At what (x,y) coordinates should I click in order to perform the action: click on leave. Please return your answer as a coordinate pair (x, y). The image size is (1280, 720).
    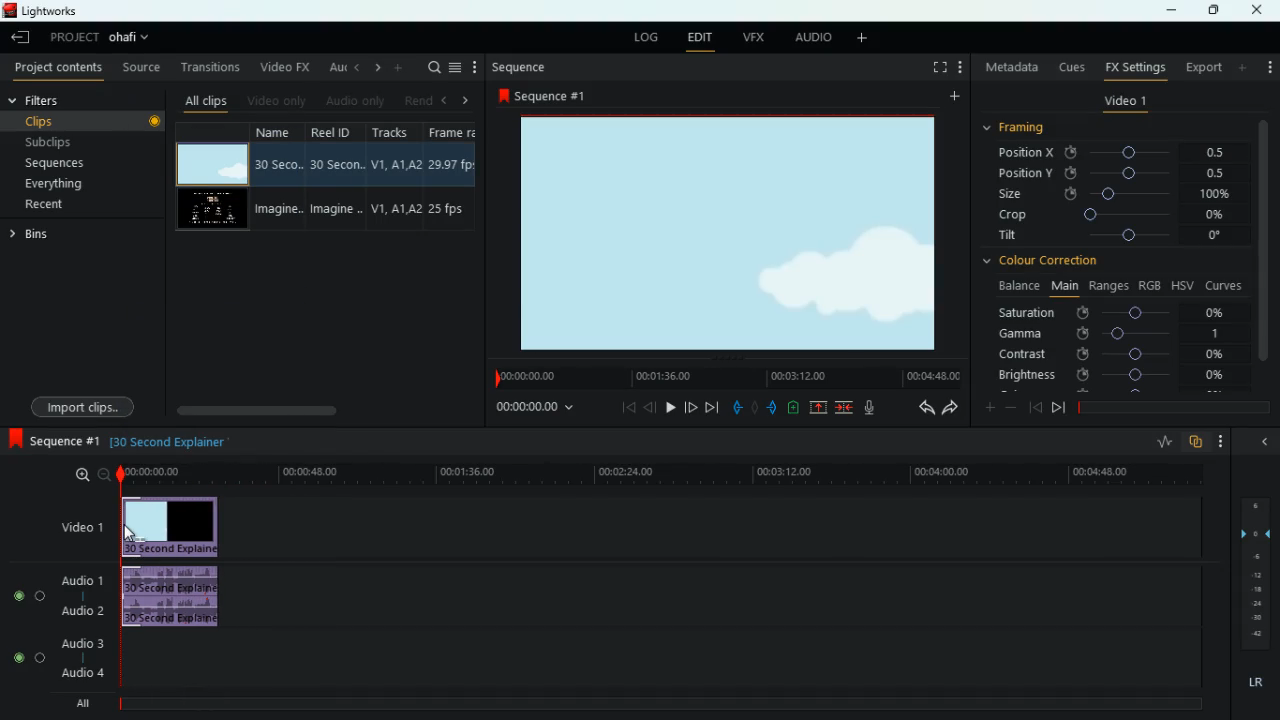
    Looking at the image, I should click on (21, 37).